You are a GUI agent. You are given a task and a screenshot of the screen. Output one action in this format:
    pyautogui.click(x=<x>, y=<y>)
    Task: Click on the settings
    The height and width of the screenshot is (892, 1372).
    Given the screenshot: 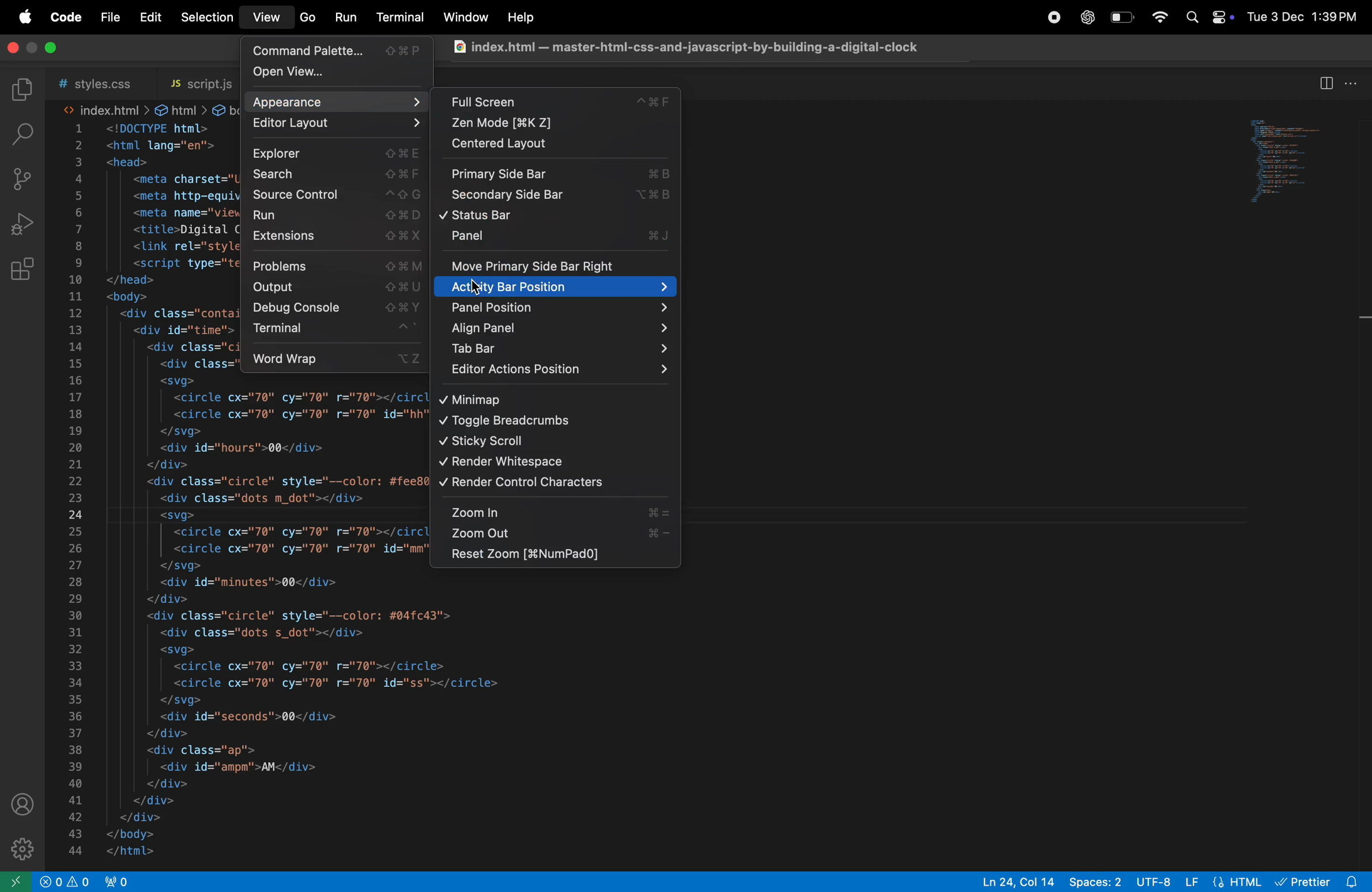 What is the action you would take?
    pyautogui.click(x=24, y=846)
    